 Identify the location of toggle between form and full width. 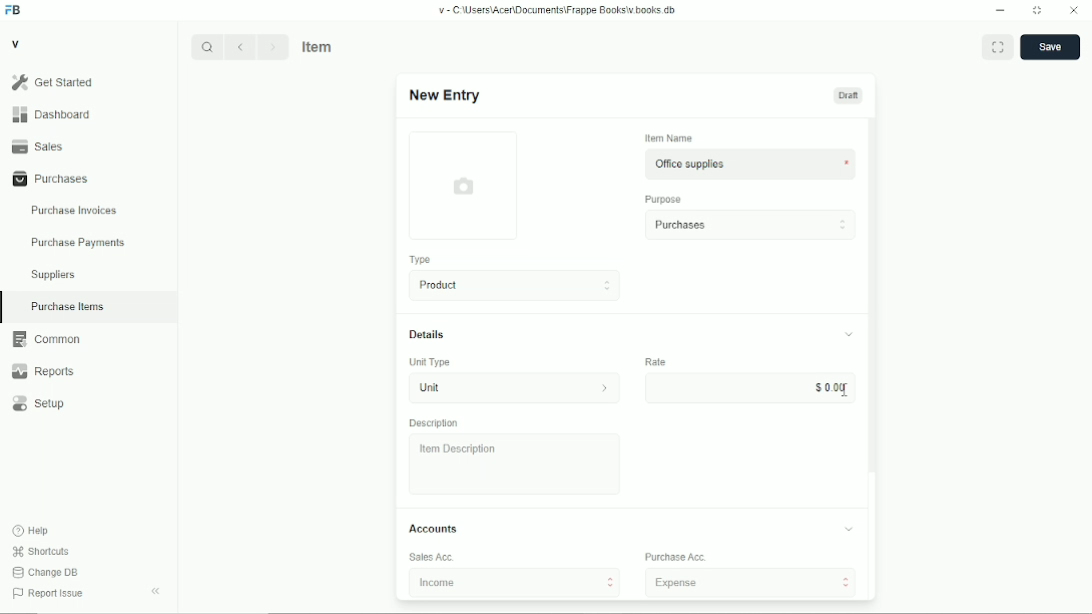
(998, 46).